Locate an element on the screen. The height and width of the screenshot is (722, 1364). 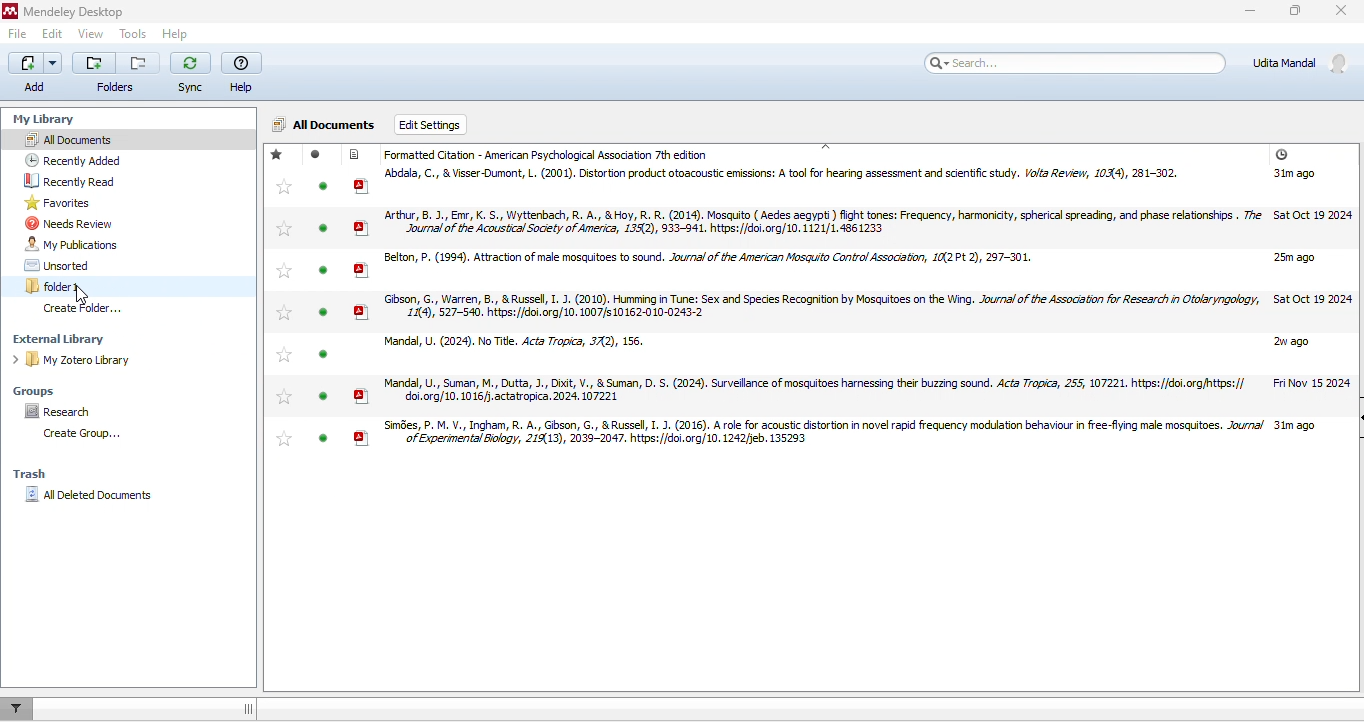
research articles is located at coordinates (851, 354).